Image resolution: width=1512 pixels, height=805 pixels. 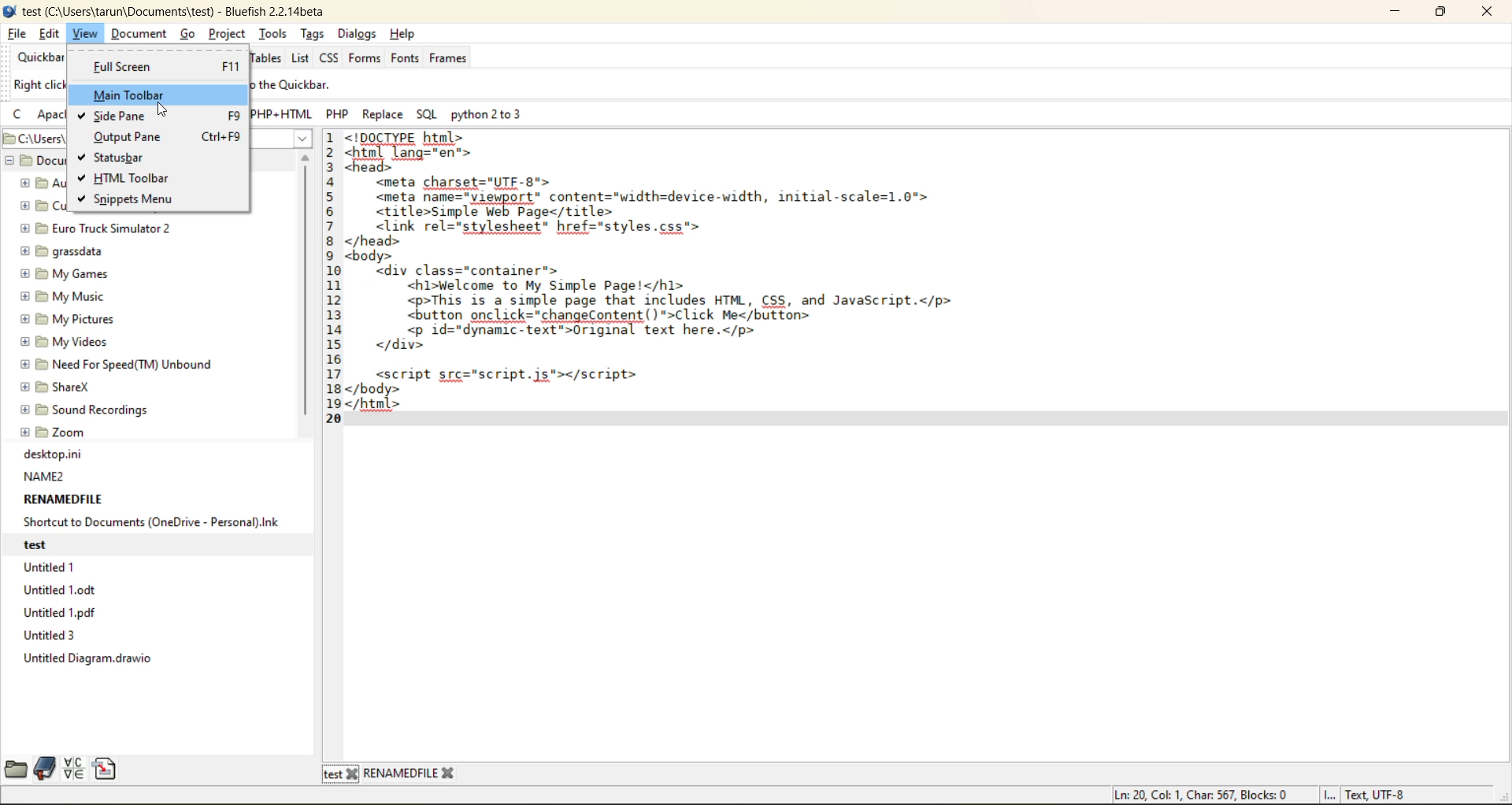 I want to click on bookmarks, so click(x=46, y=770).